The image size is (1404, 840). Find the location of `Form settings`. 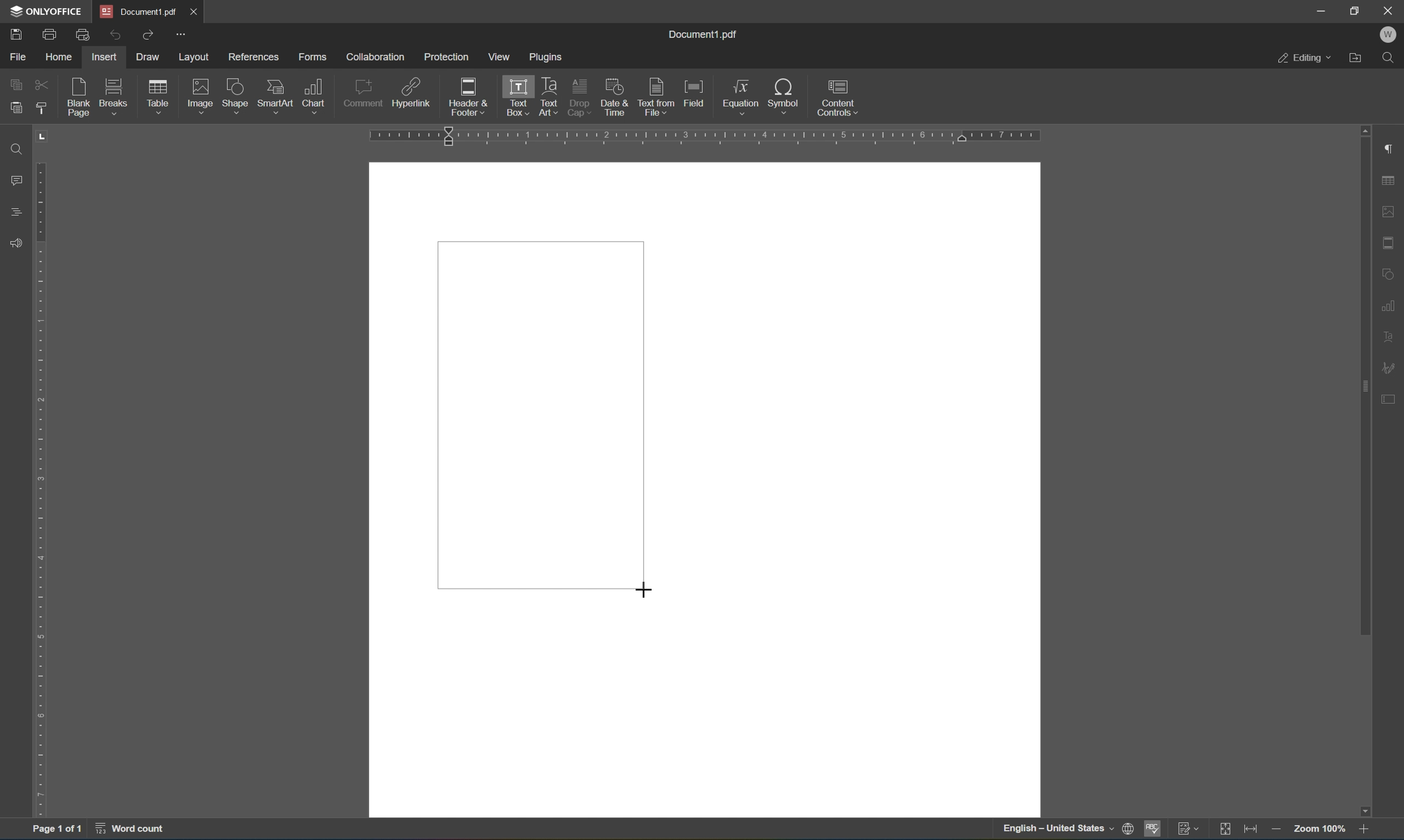

Form settings is located at coordinates (1390, 397).